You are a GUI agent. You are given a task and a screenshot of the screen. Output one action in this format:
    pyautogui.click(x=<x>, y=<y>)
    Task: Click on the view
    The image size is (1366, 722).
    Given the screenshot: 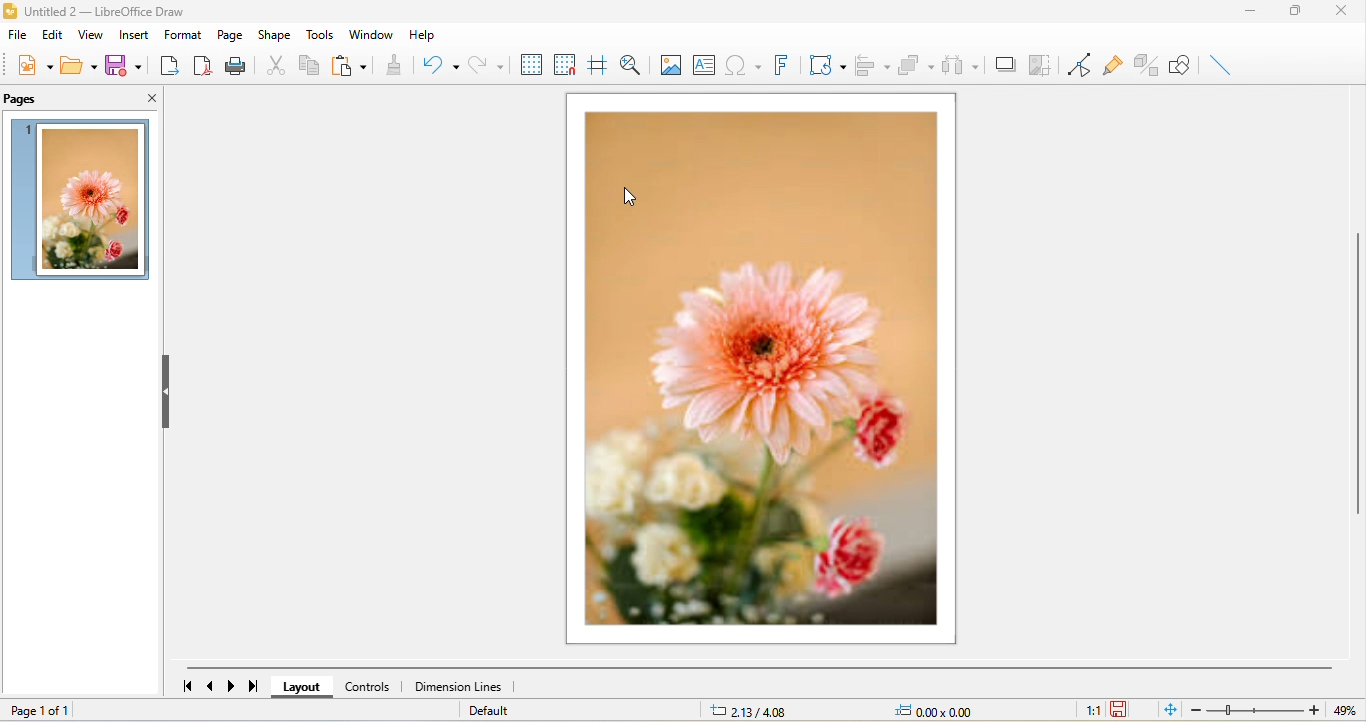 What is the action you would take?
    pyautogui.click(x=94, y=34)
    